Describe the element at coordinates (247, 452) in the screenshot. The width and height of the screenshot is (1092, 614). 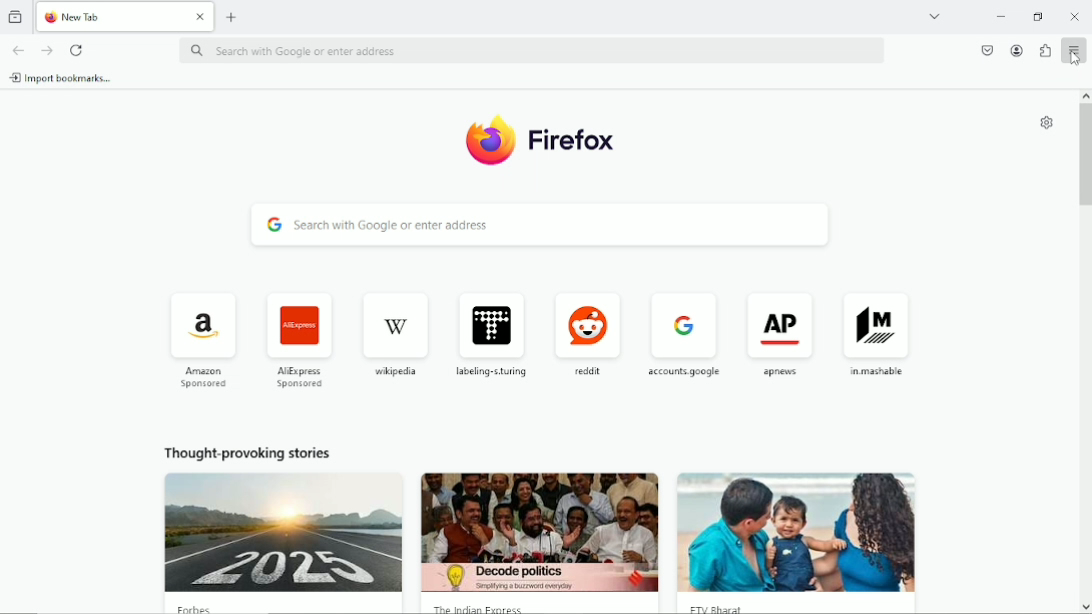
I see `thought provoking stories` at that location.